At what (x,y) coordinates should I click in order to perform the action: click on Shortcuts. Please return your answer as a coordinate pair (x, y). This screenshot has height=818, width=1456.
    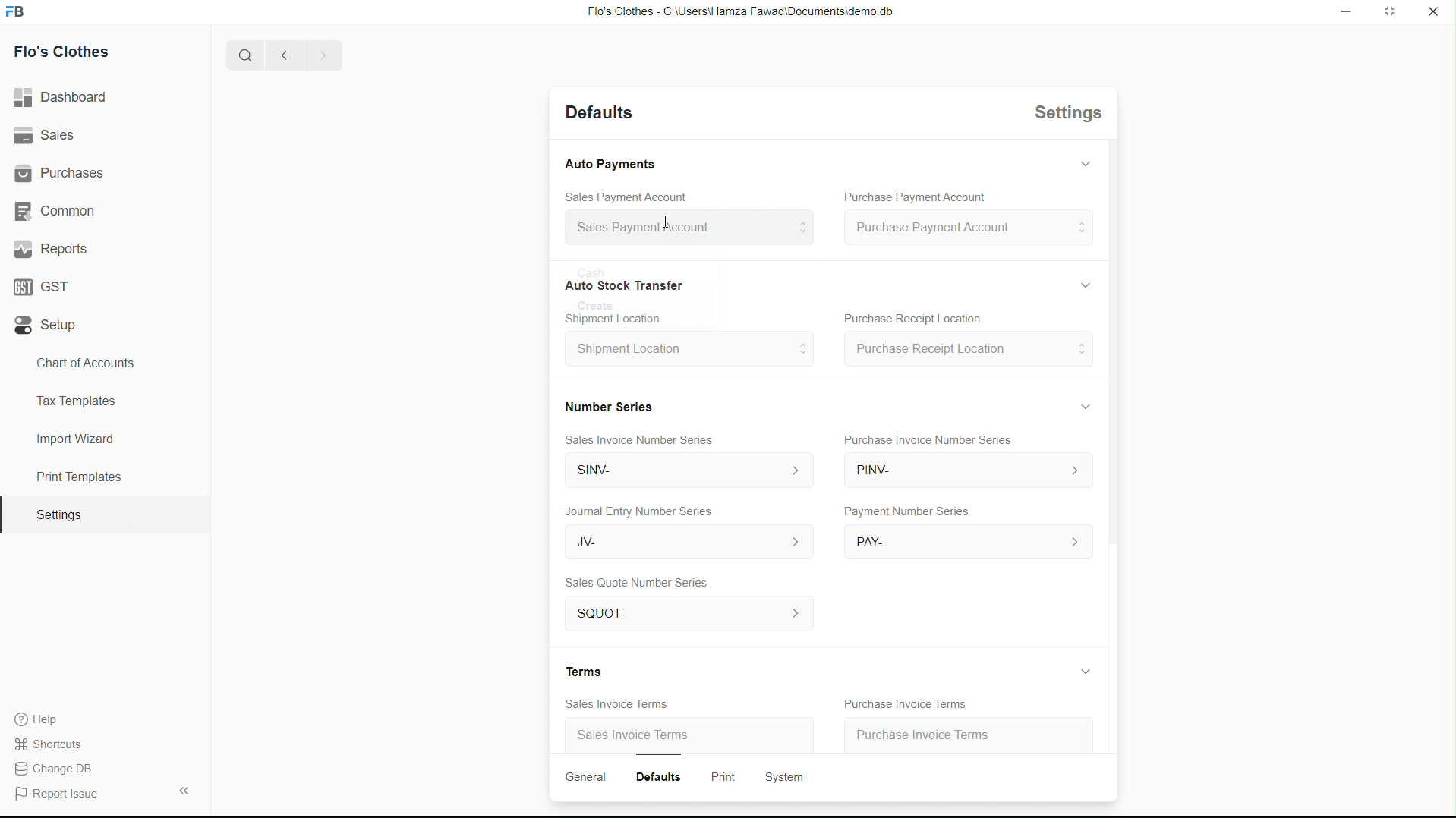
    Looking at the image, I should click on (57, 743).